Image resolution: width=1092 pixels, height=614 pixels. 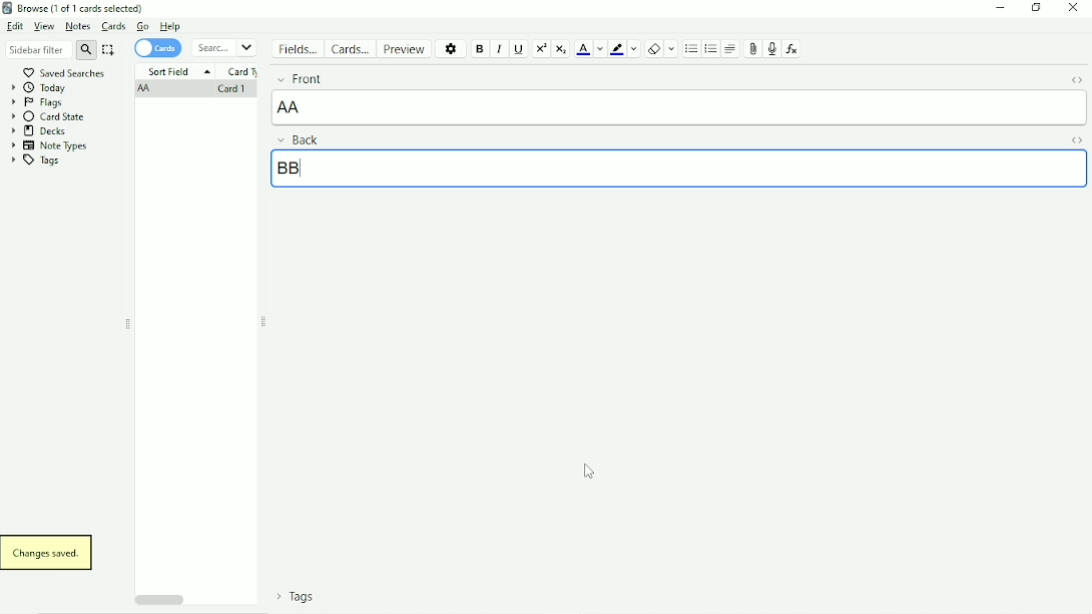 What do you see at coordinates (37, 103) in the screenshot?
I see `Flags` at bounding box center [37, 103].